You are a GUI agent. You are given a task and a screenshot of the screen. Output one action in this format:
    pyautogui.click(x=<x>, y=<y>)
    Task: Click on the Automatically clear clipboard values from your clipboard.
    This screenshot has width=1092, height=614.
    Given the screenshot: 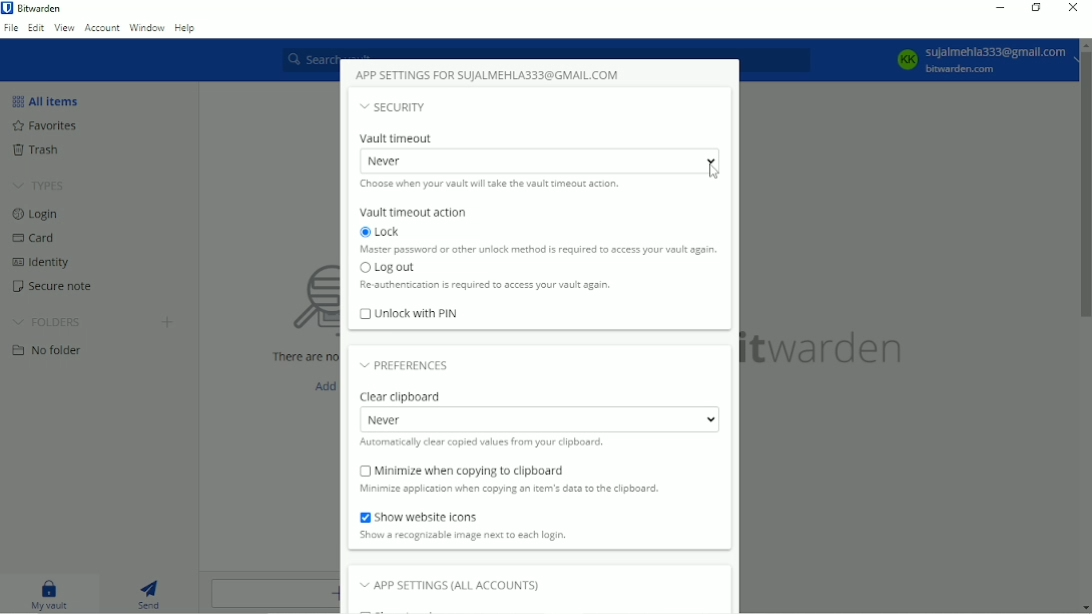 What is the action you would take?
    pyautogui.click(x=484, y=443)
    